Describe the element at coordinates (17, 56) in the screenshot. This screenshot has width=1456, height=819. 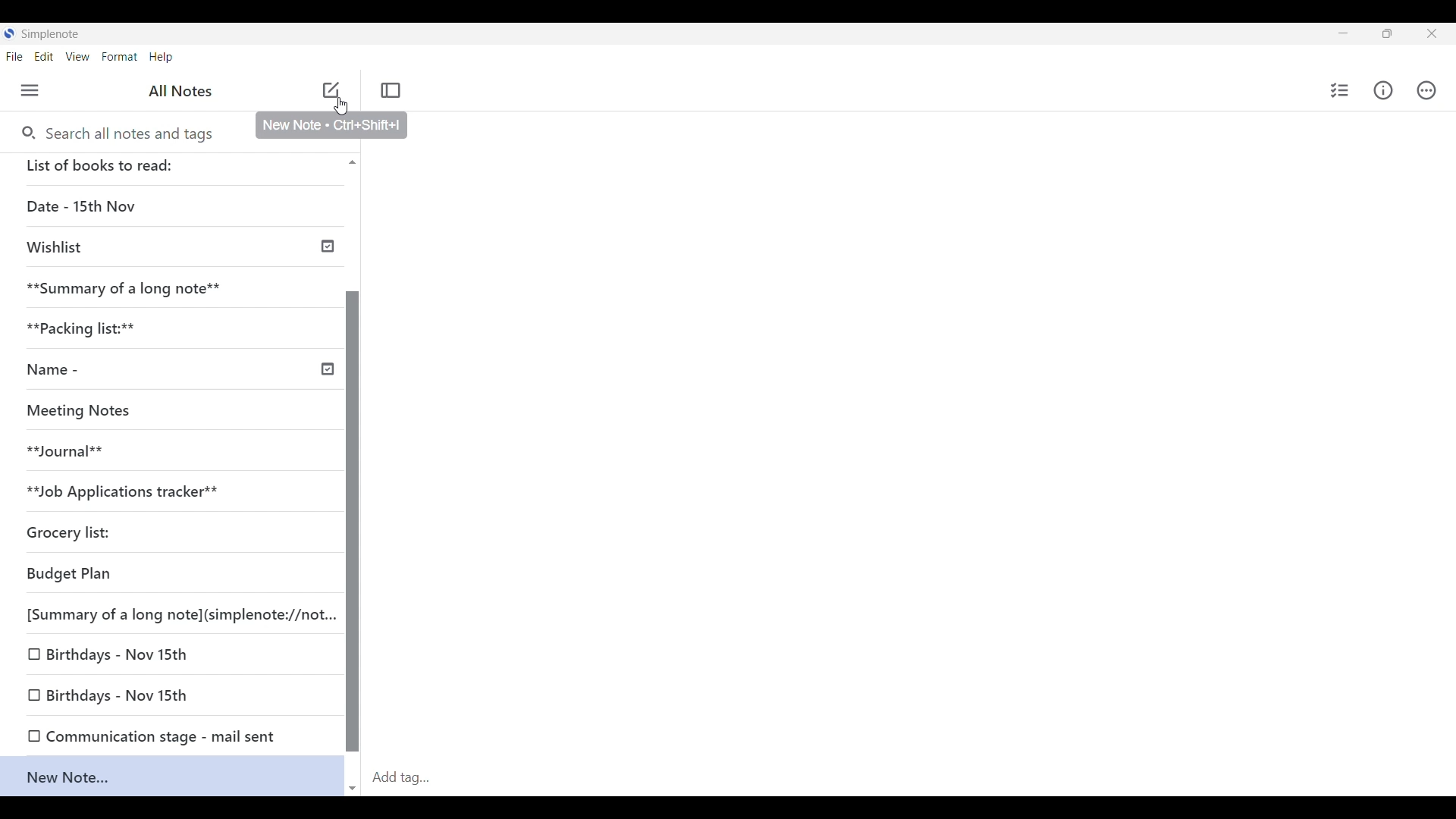
I see `File` at that location.